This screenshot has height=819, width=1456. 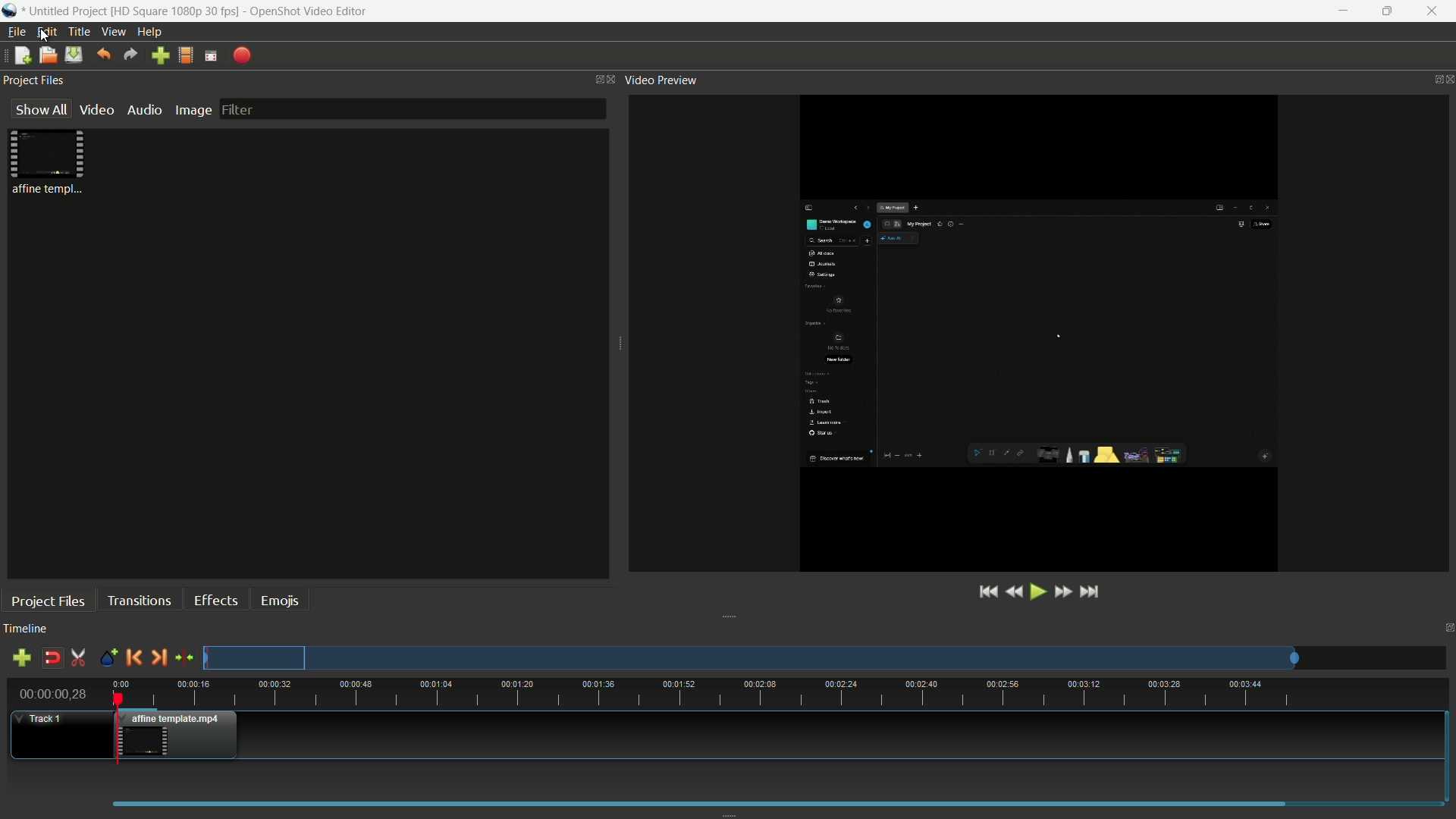 I want to click on rewind, so click(x=1014, y=592).